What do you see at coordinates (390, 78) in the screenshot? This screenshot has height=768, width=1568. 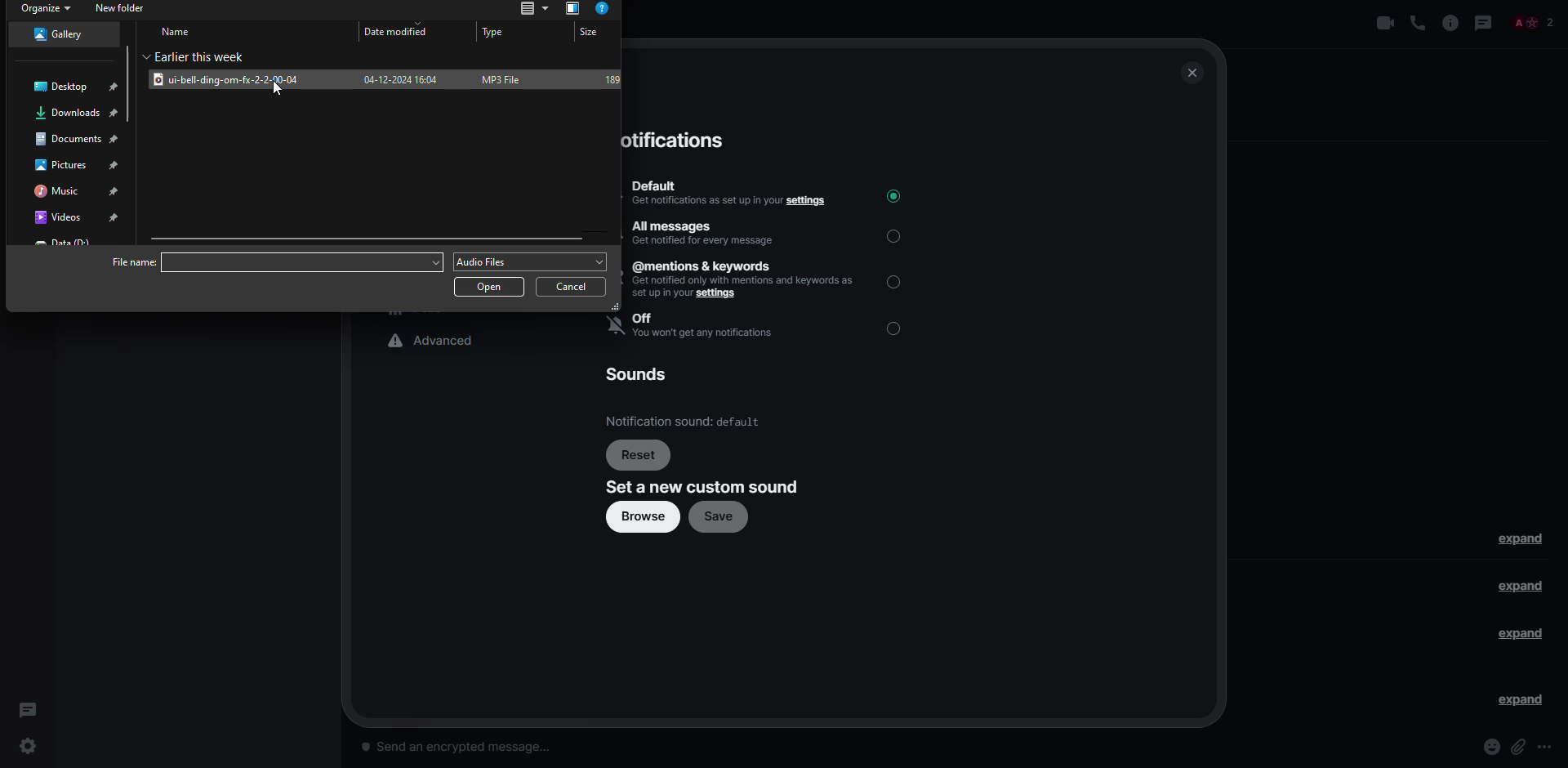 I see `B ui-bell-ding-om-fi-2-2-00-04 04-12-2024 16:04 MP3 File 189` at bounding box center [390, 78].